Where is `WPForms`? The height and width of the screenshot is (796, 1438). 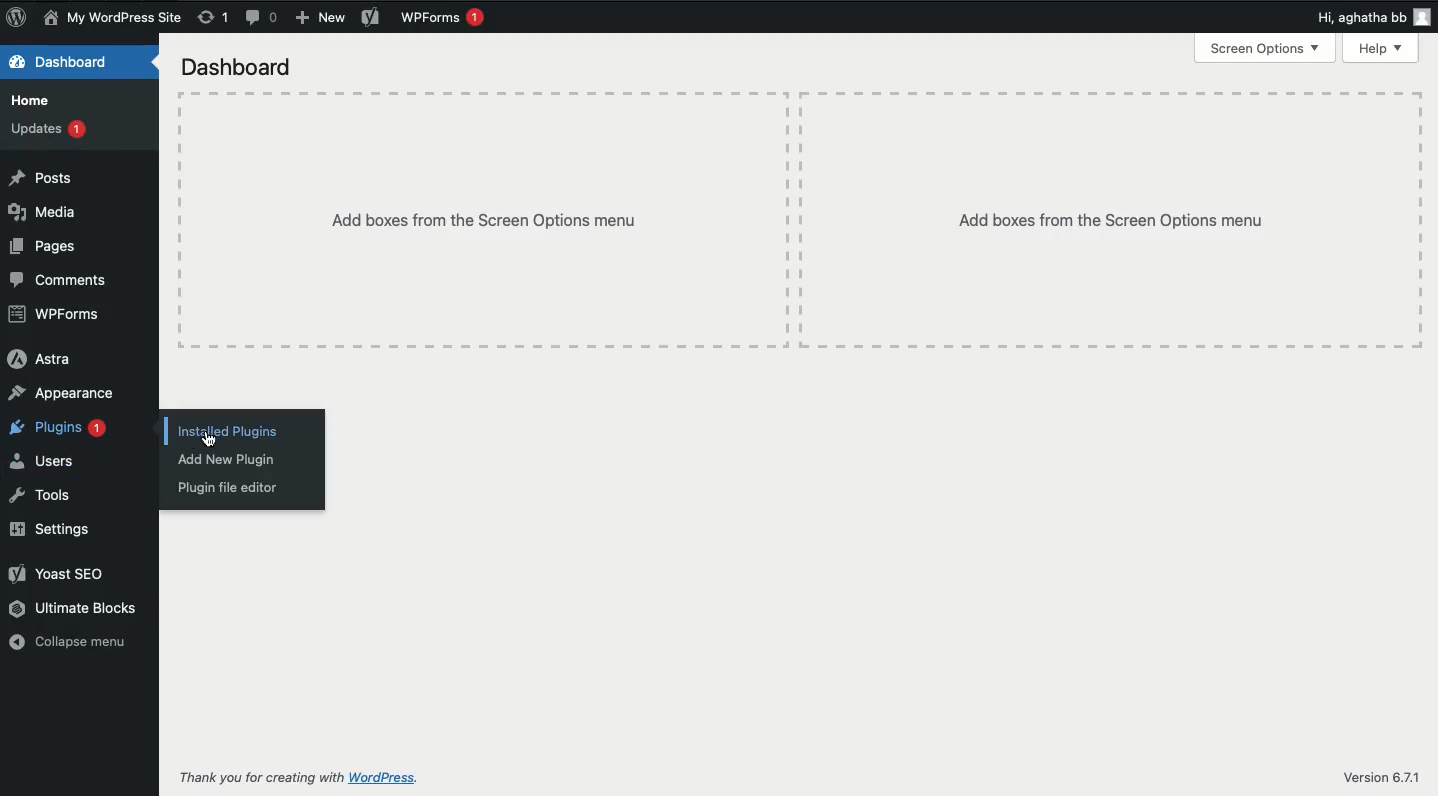
WPForms is located at coordinates (443, 18).